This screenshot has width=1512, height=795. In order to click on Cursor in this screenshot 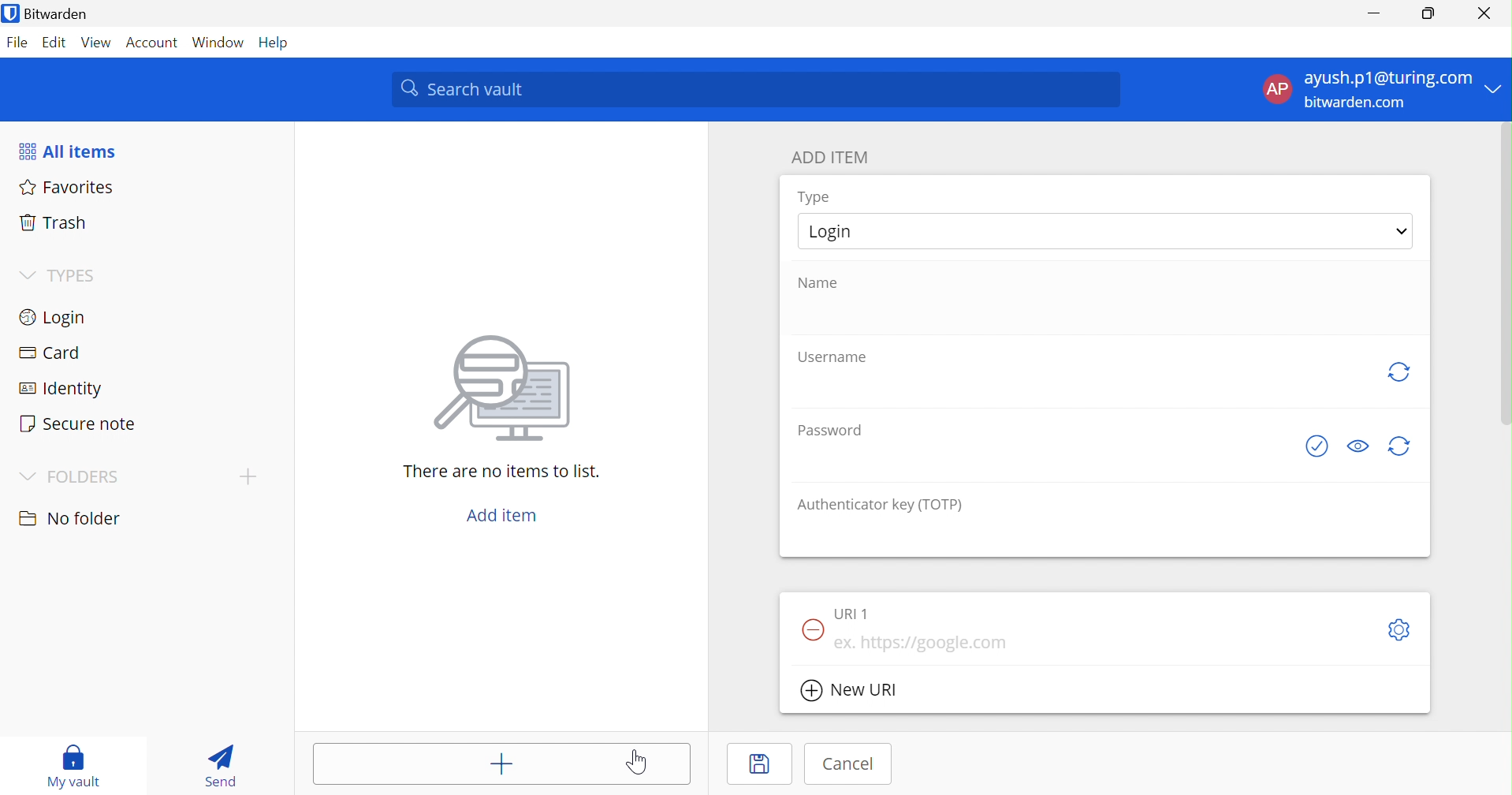, I will do `click(636, 762)`.